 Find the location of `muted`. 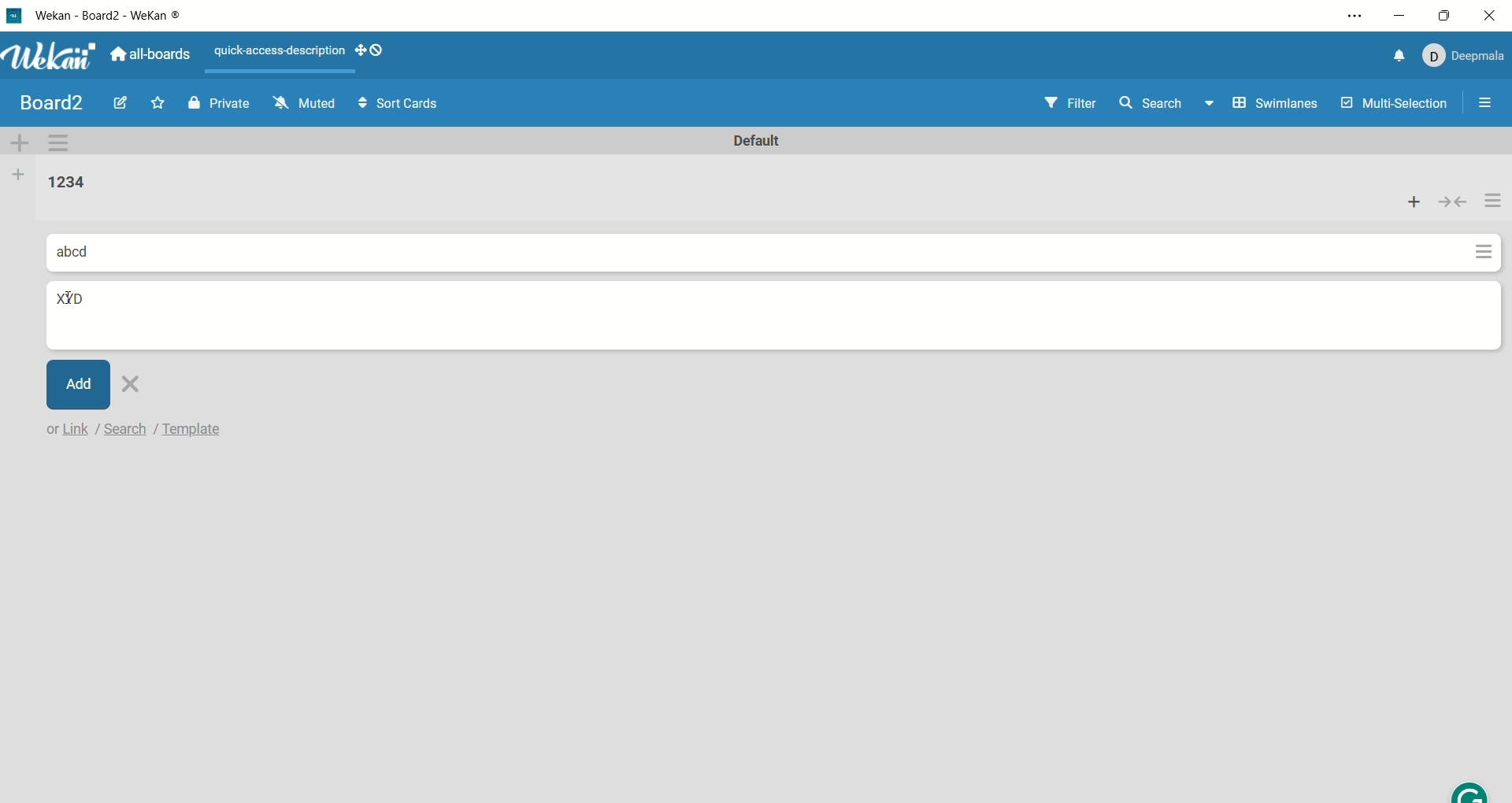

muted is located at coordinates (310, 102).